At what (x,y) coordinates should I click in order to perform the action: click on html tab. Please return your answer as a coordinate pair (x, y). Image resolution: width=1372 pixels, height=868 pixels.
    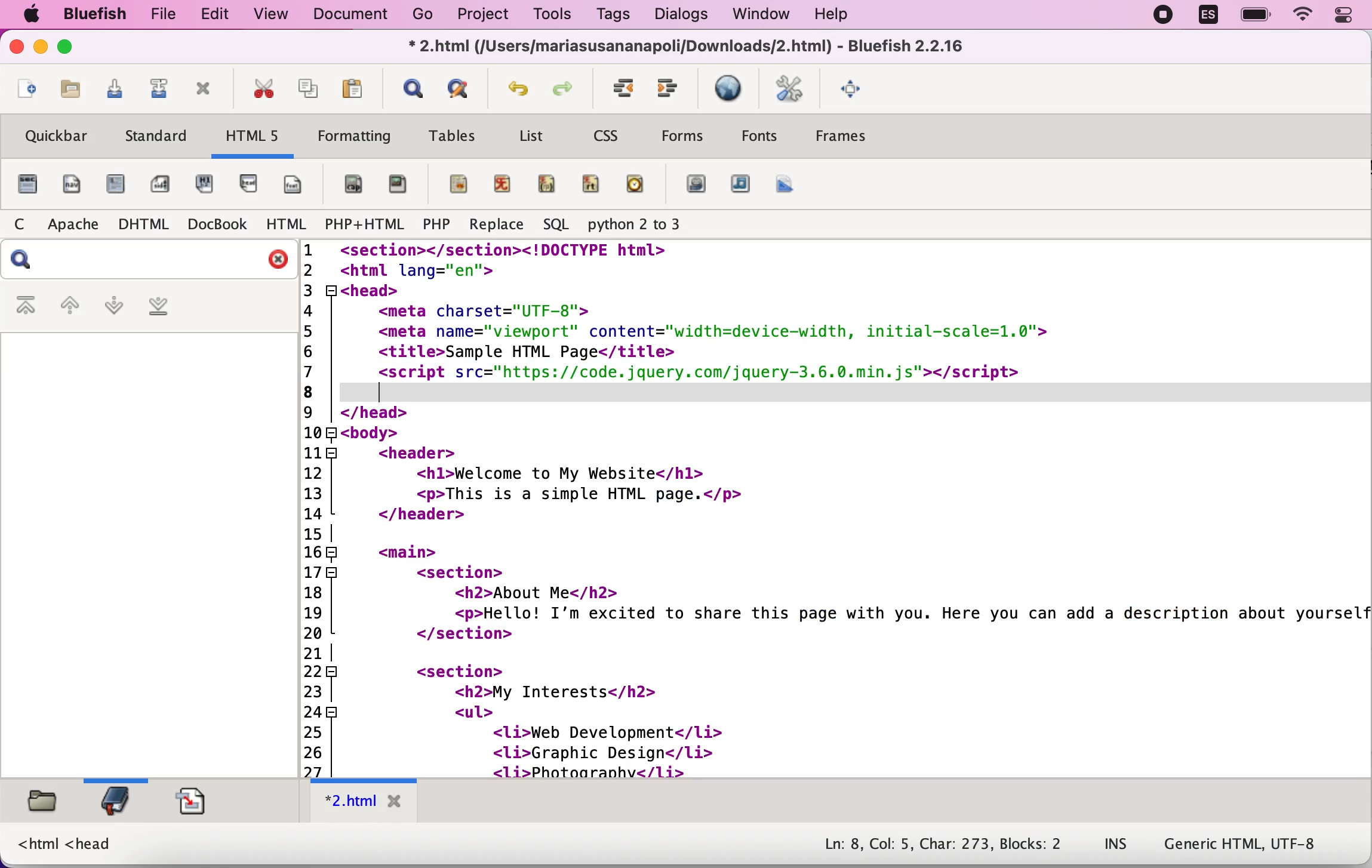
    Looking at the image, I should click on (363, 802).